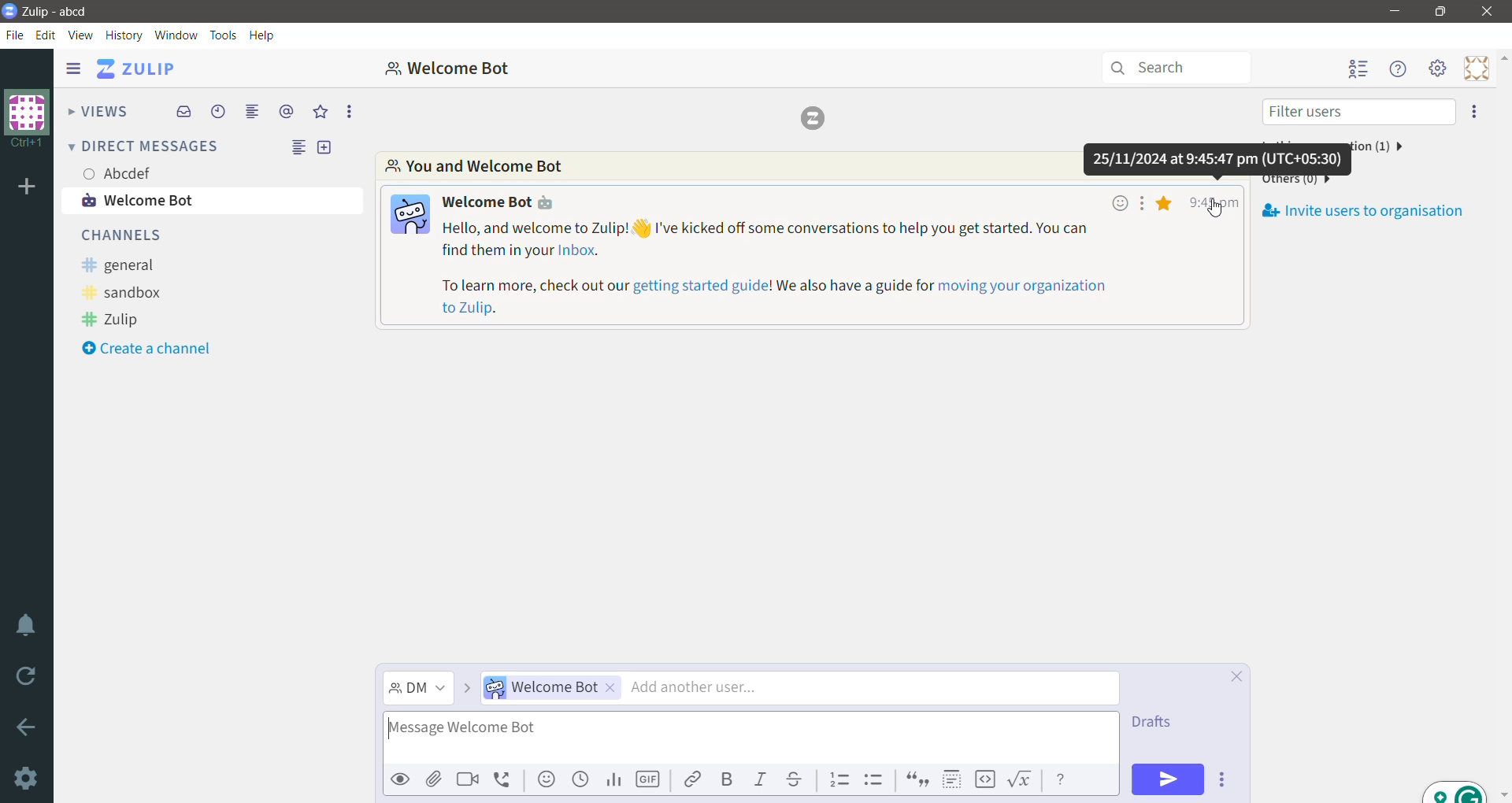 The width and height of the screenshot is (1512, 803). I want to click on Filter users, so click(1358, 111).